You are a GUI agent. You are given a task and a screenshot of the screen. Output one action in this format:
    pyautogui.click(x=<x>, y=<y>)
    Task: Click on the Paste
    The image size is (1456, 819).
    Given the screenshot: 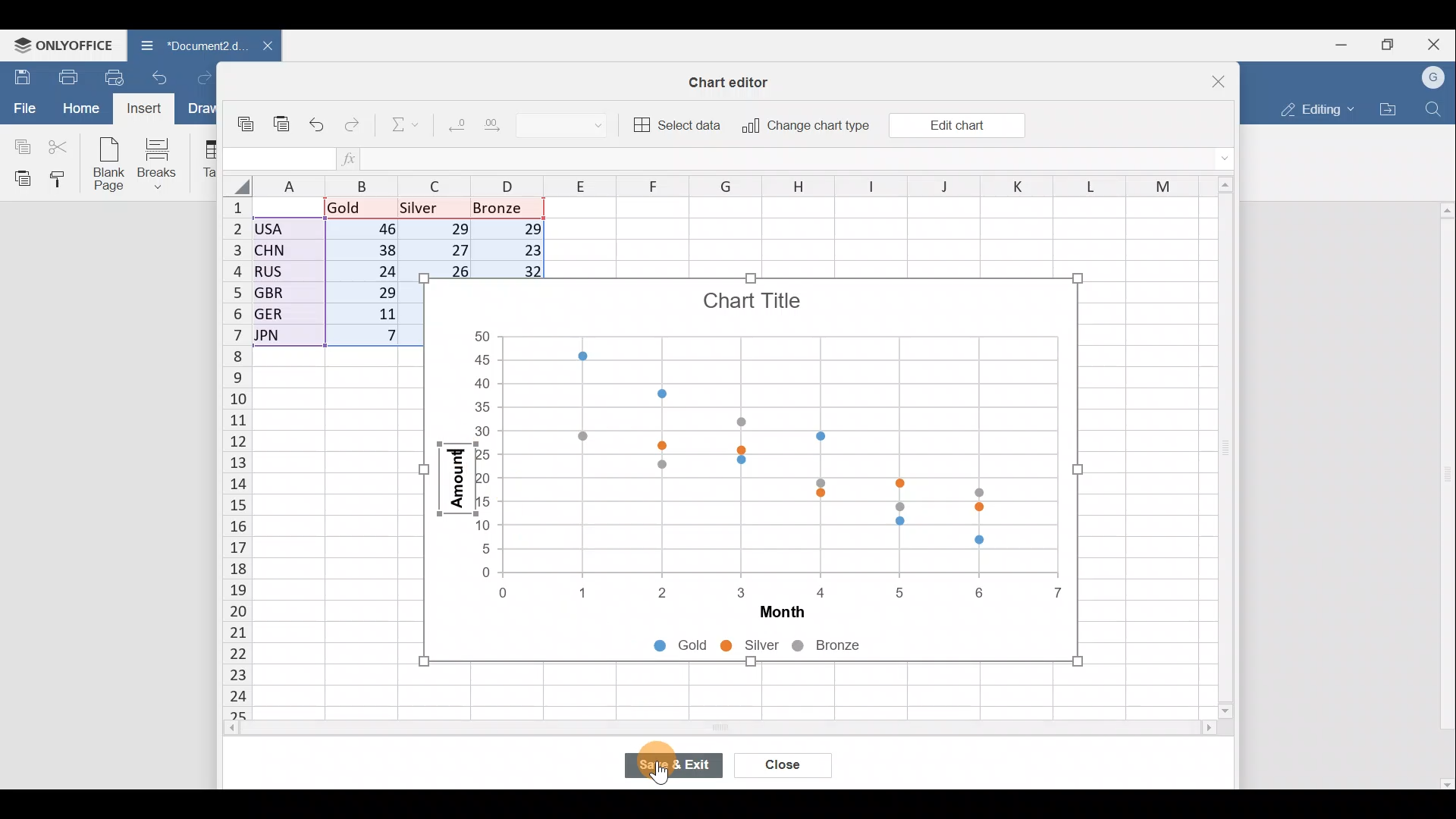 What is the action you would take?
    pyautogui.click(x=282, y=117)
    